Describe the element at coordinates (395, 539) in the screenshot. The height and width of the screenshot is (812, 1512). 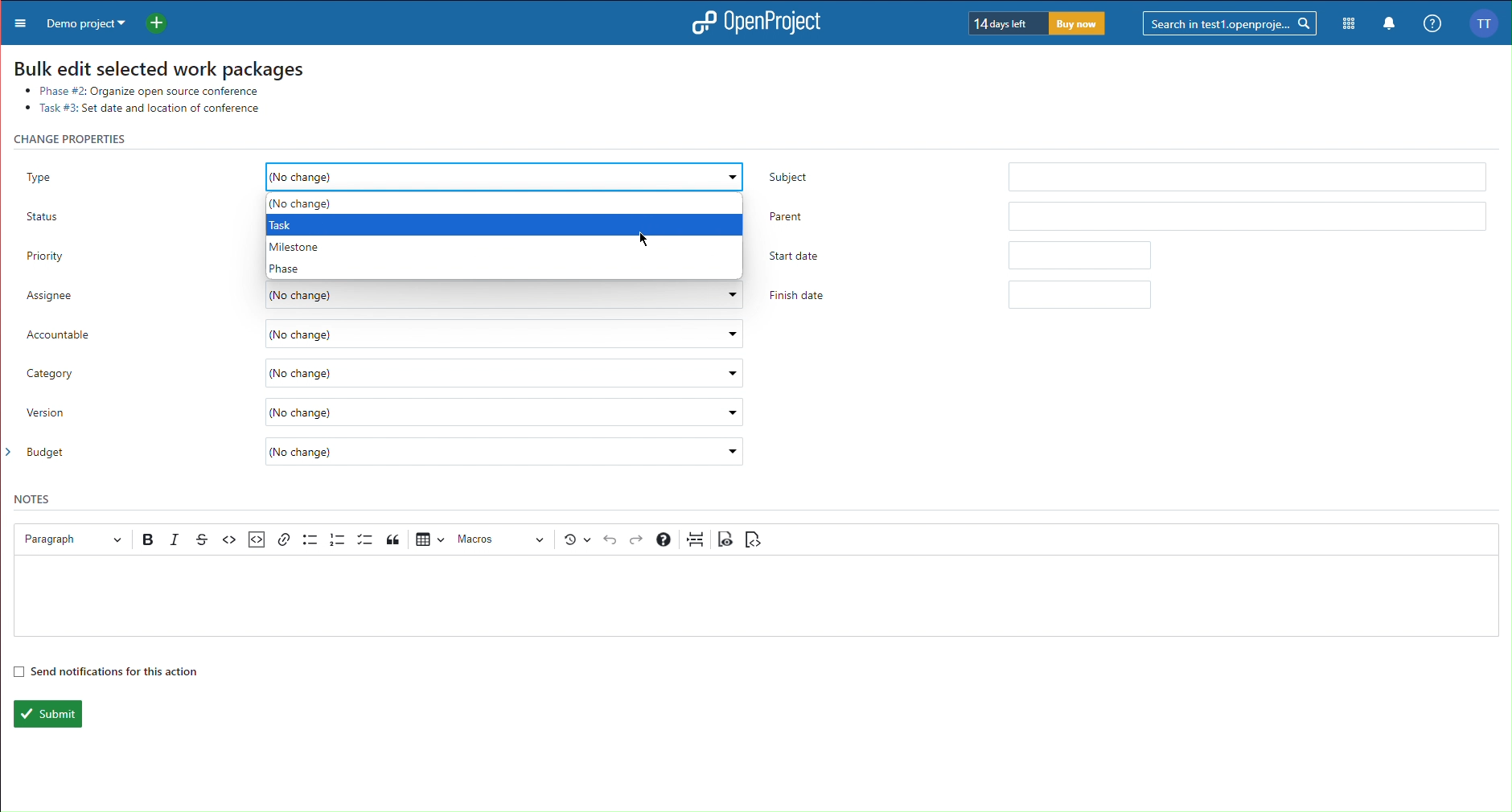
I see `Quote` at that location.